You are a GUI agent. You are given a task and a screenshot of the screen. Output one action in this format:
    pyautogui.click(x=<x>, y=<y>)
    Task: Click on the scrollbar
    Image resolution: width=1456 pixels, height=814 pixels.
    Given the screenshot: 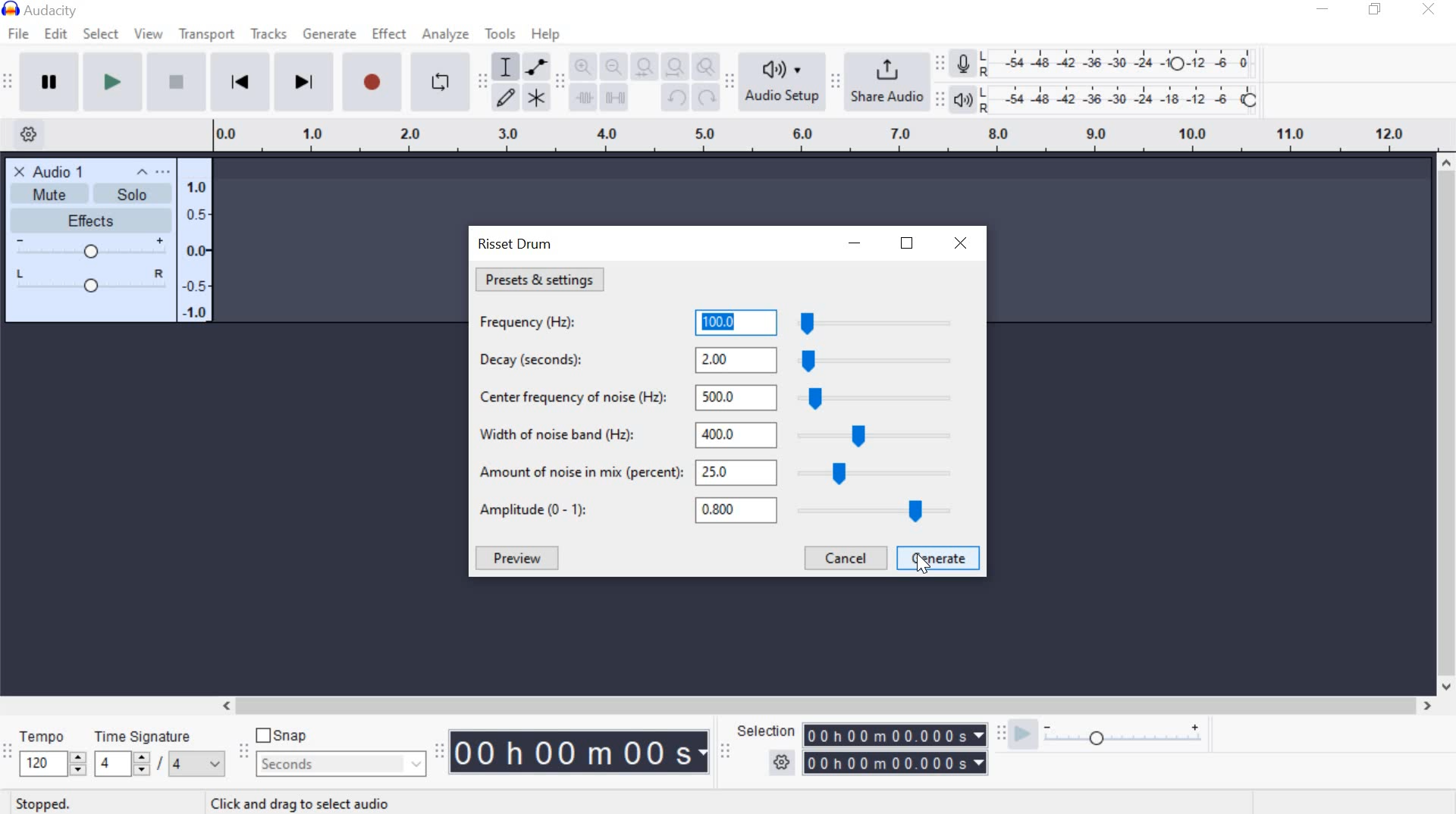 What is the action you would take?
    pyautogui.click(x=1447, y=426)
    